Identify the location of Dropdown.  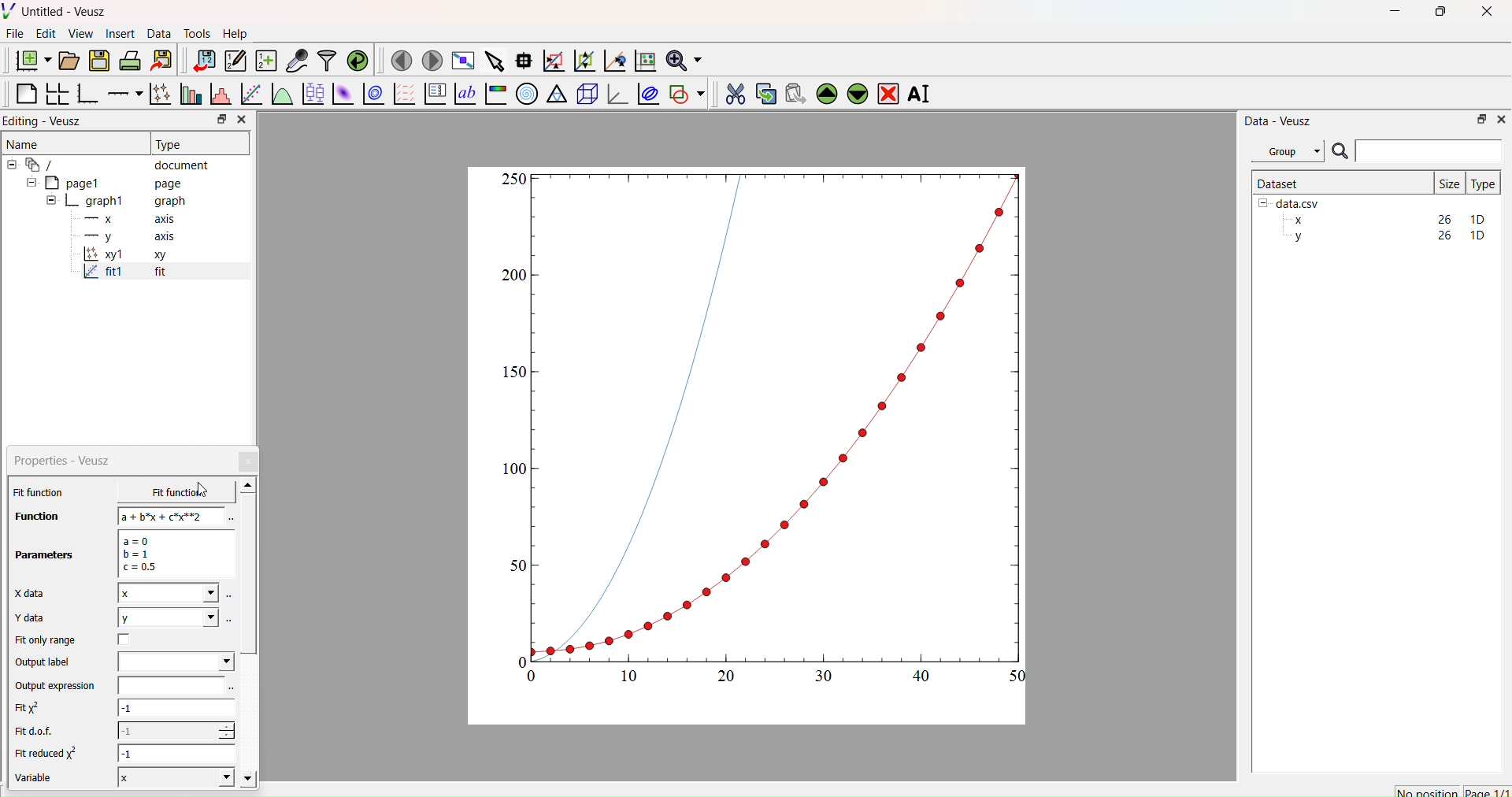
(176, 662).